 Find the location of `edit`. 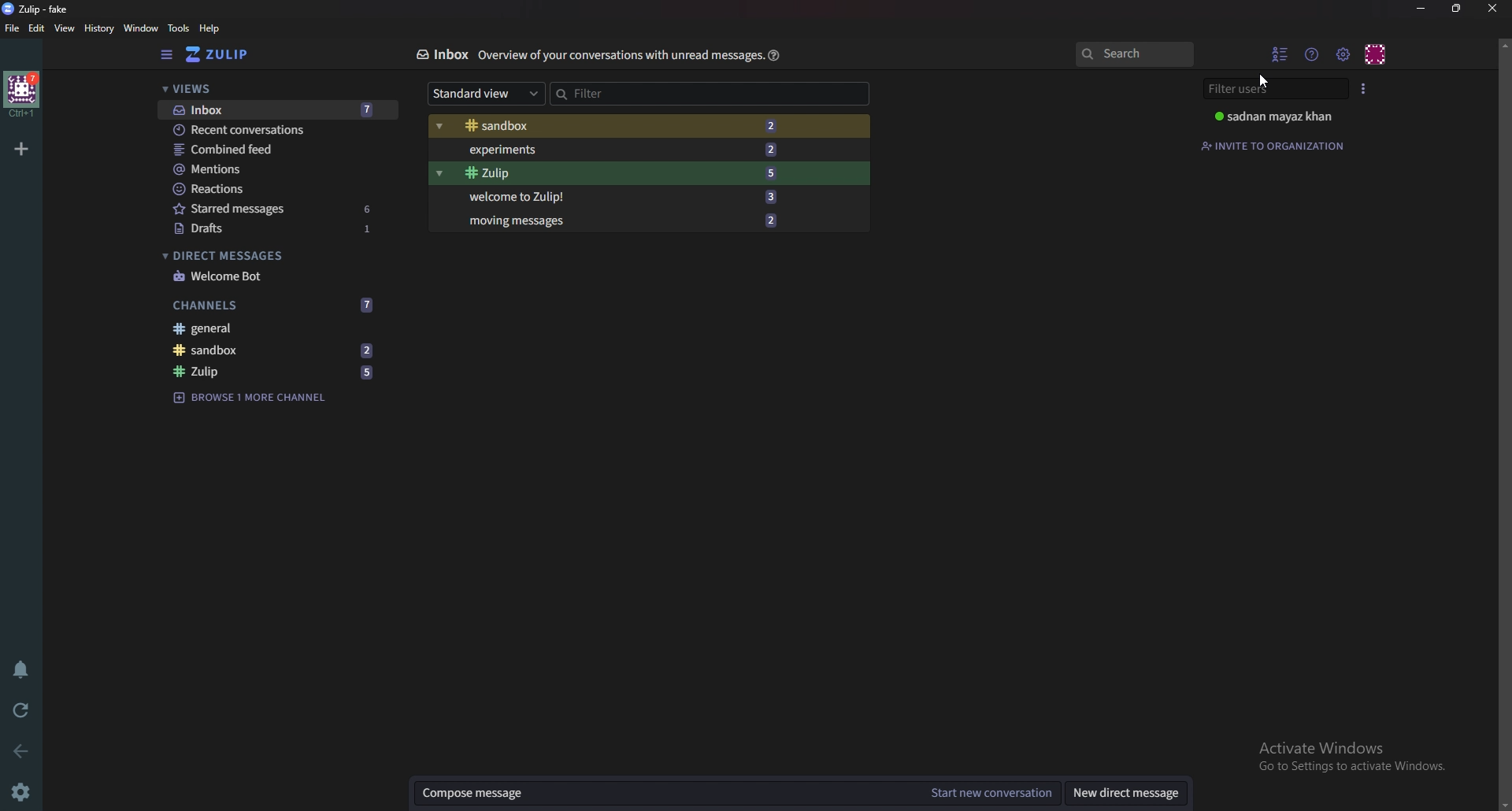

edit is located at coordinates (36, 29).